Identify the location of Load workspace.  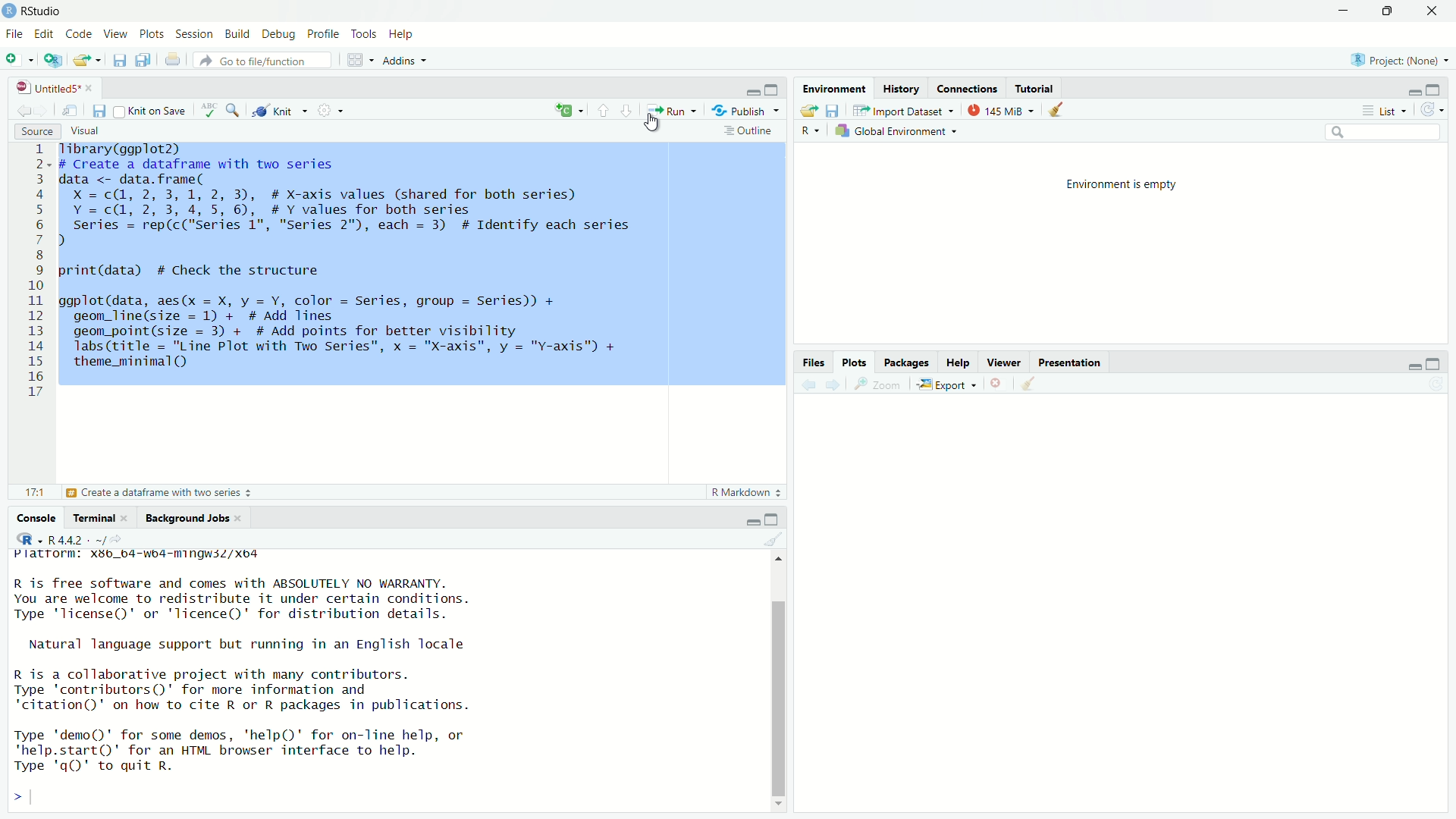
(809, 111).